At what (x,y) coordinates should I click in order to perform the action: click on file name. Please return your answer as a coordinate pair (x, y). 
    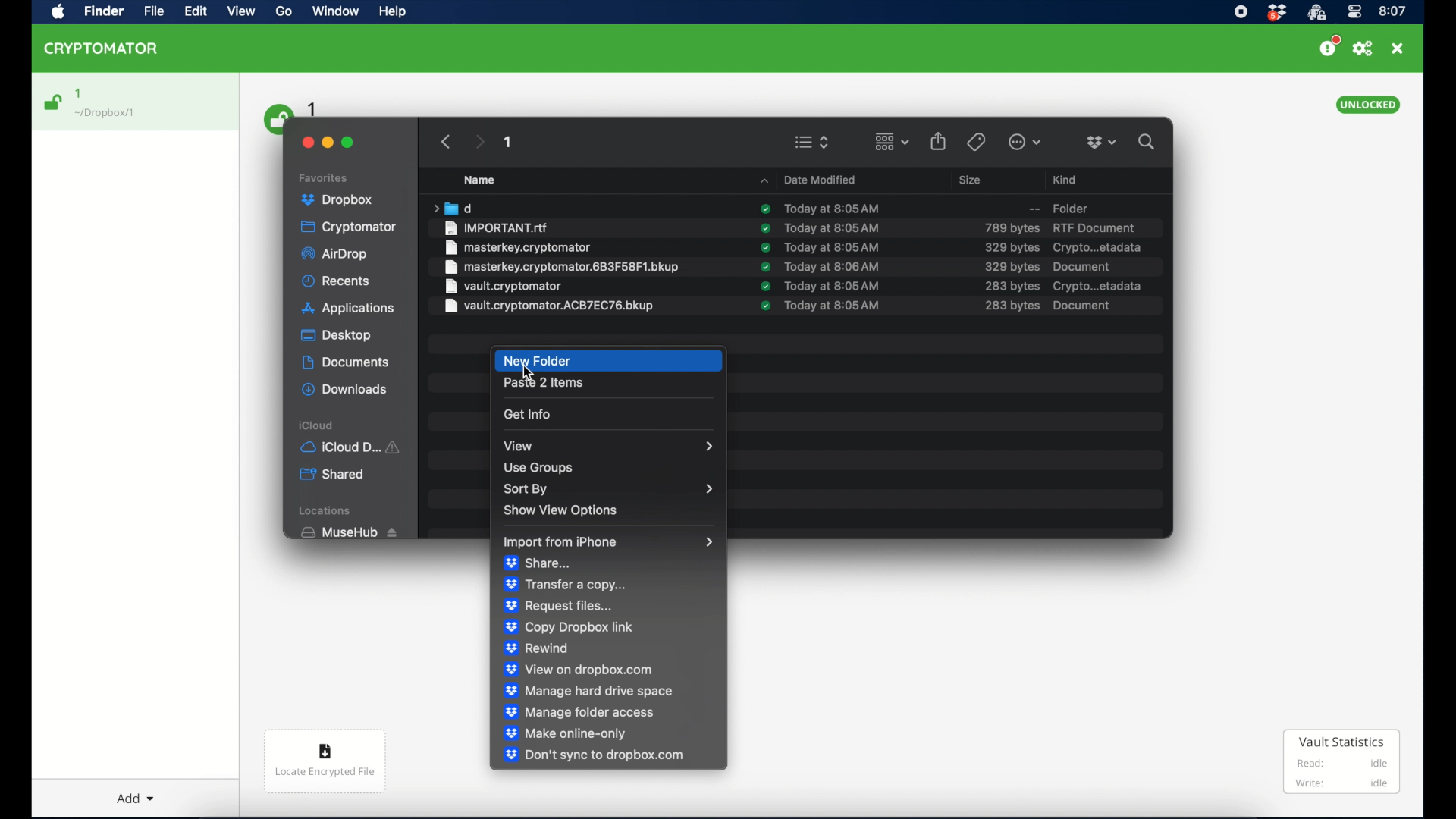
    Looking at the image, I should click on (561, 267).